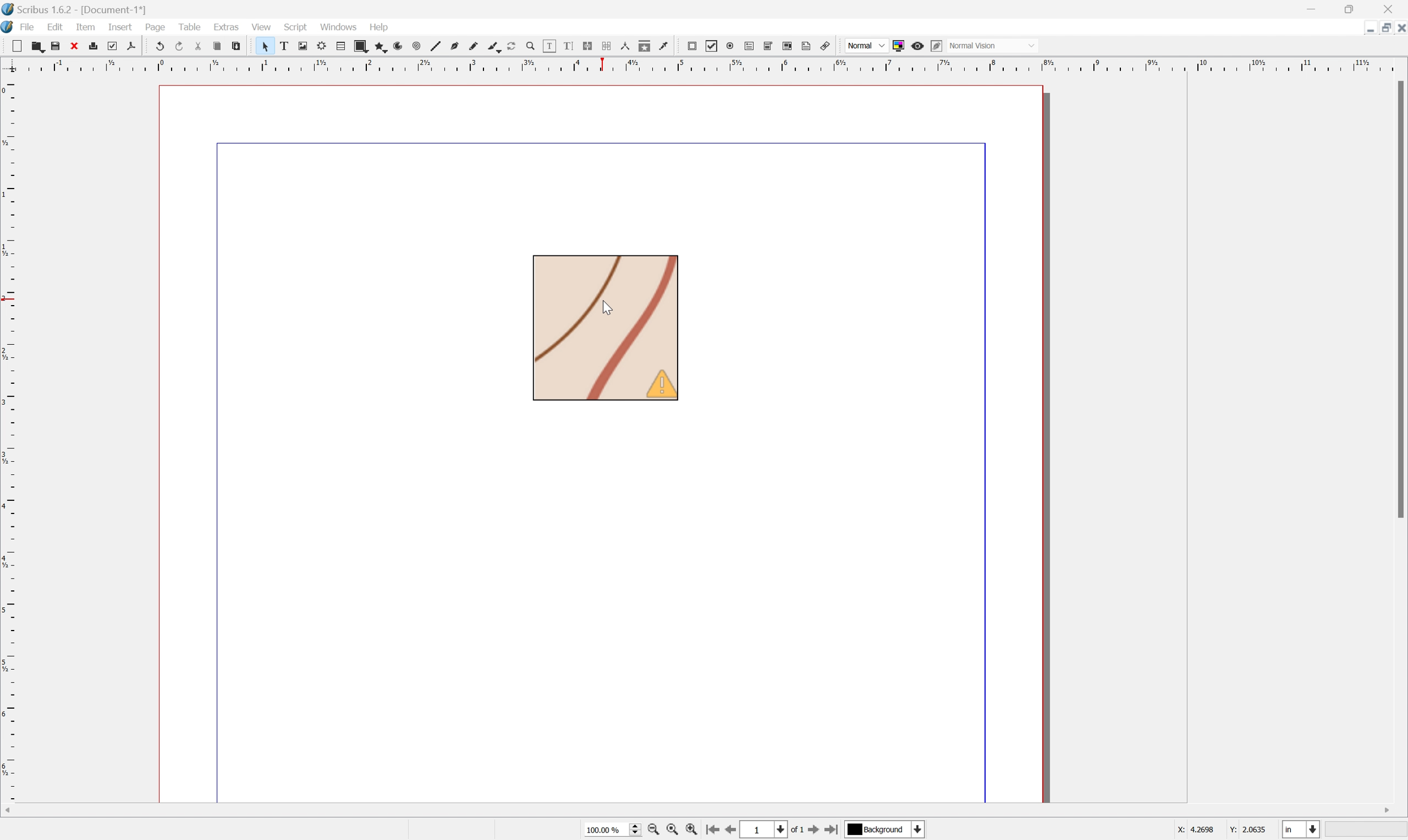 The width and height of the screenshot is (1408, 840). What do you see at coordinates (1300, 830) in the screenshot?
I see `Select the current unit` at bounding box center [1300, 830].